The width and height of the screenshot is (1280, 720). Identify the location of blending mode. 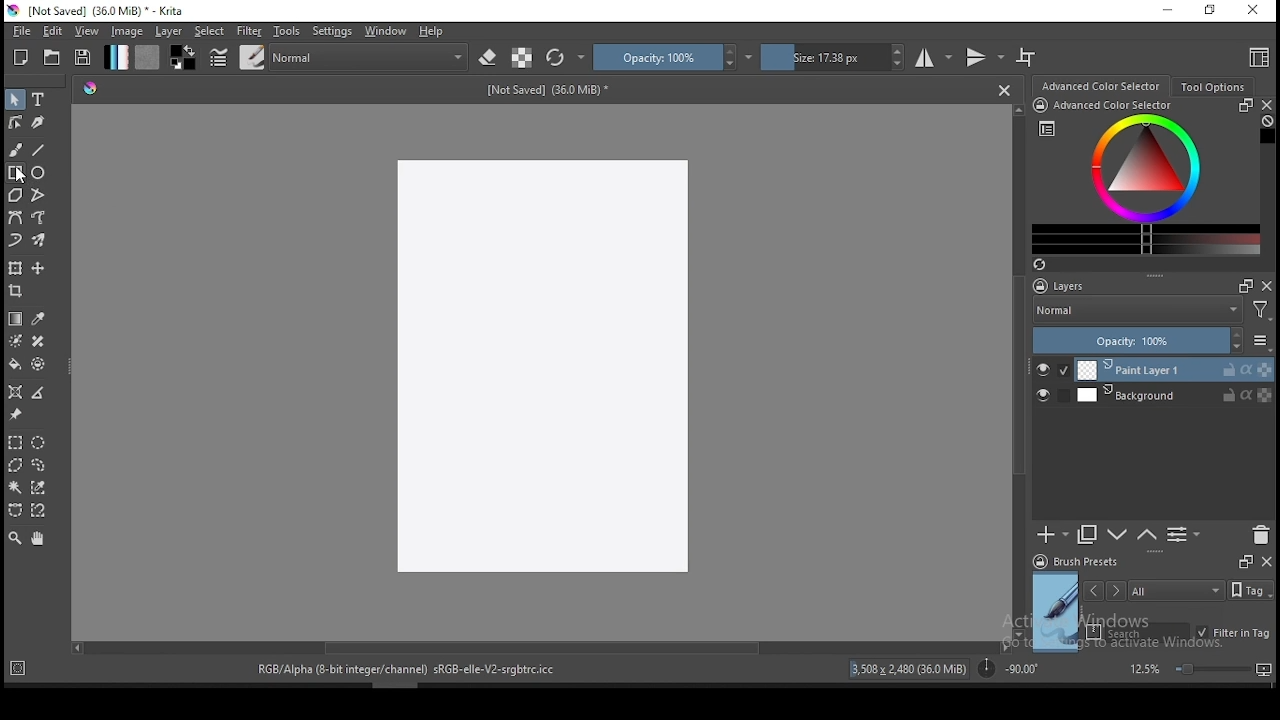
(1136, 312).